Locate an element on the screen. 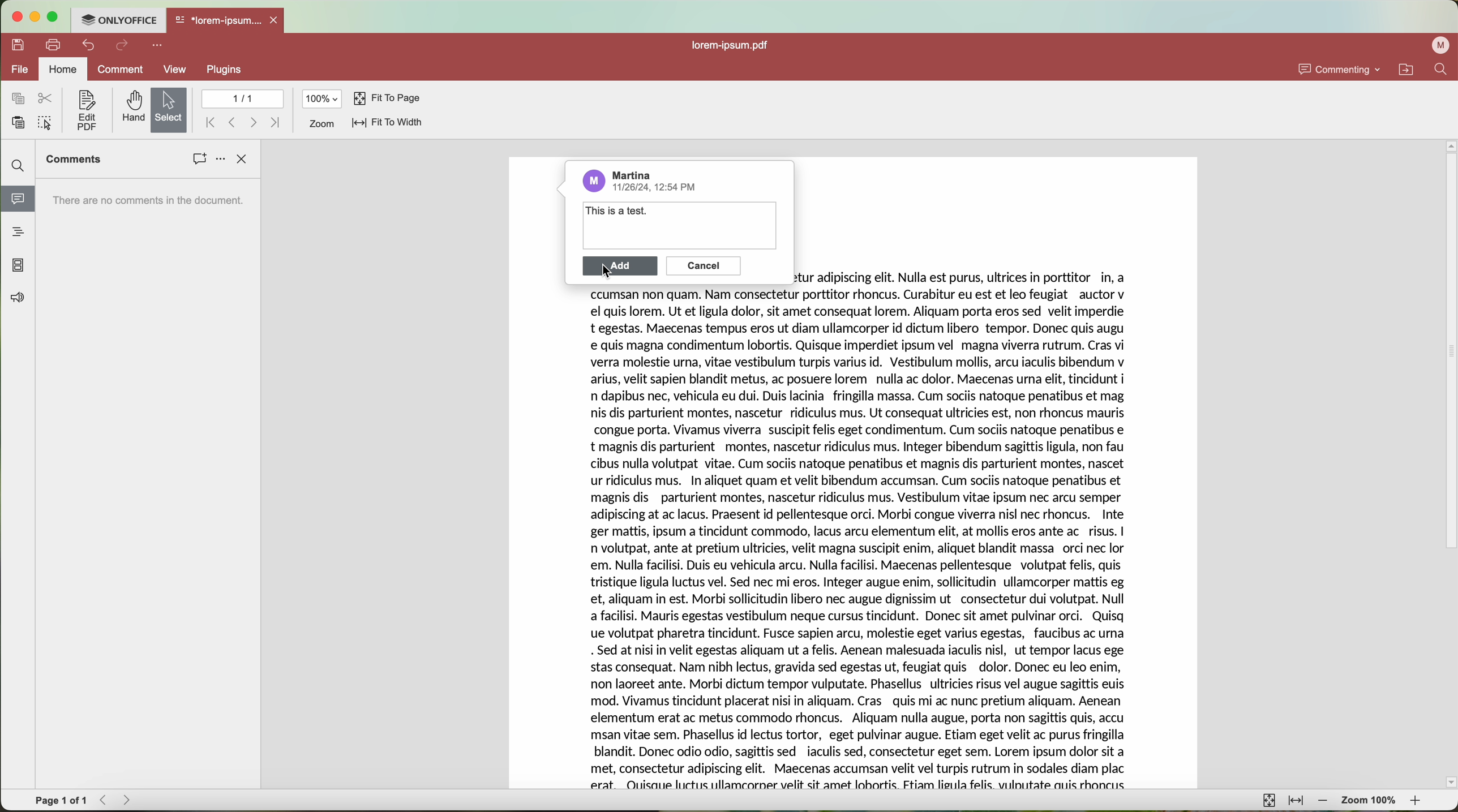 This screenshot has height=812, width=1458. ONLYOFFICE is located at coordinates (118, 20).